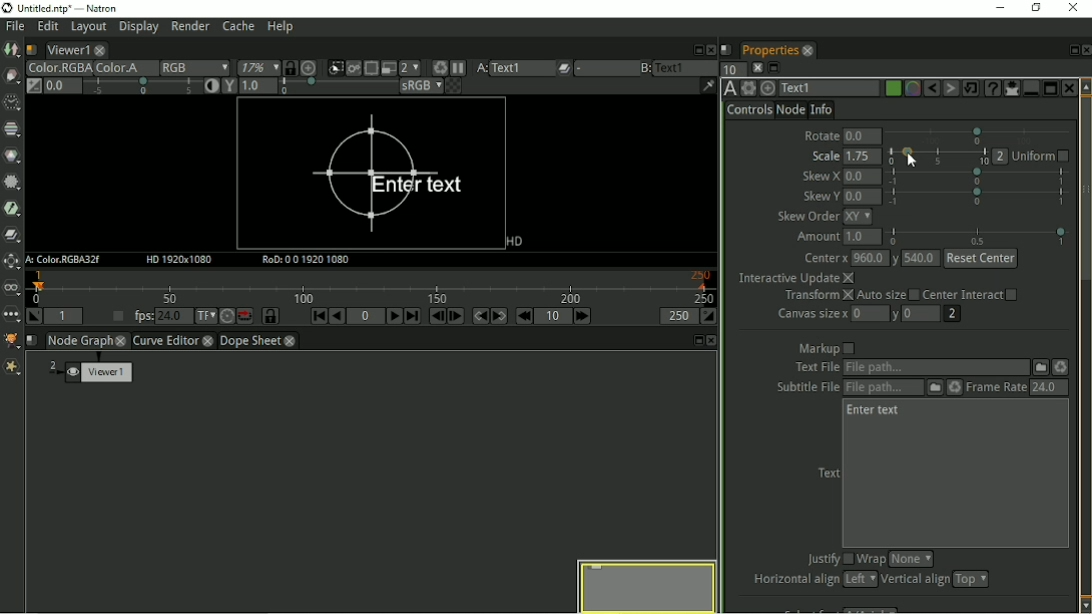  Describe the element at coordinates (664, 68) in the screenshot. I see `Viewer input B` at that location.